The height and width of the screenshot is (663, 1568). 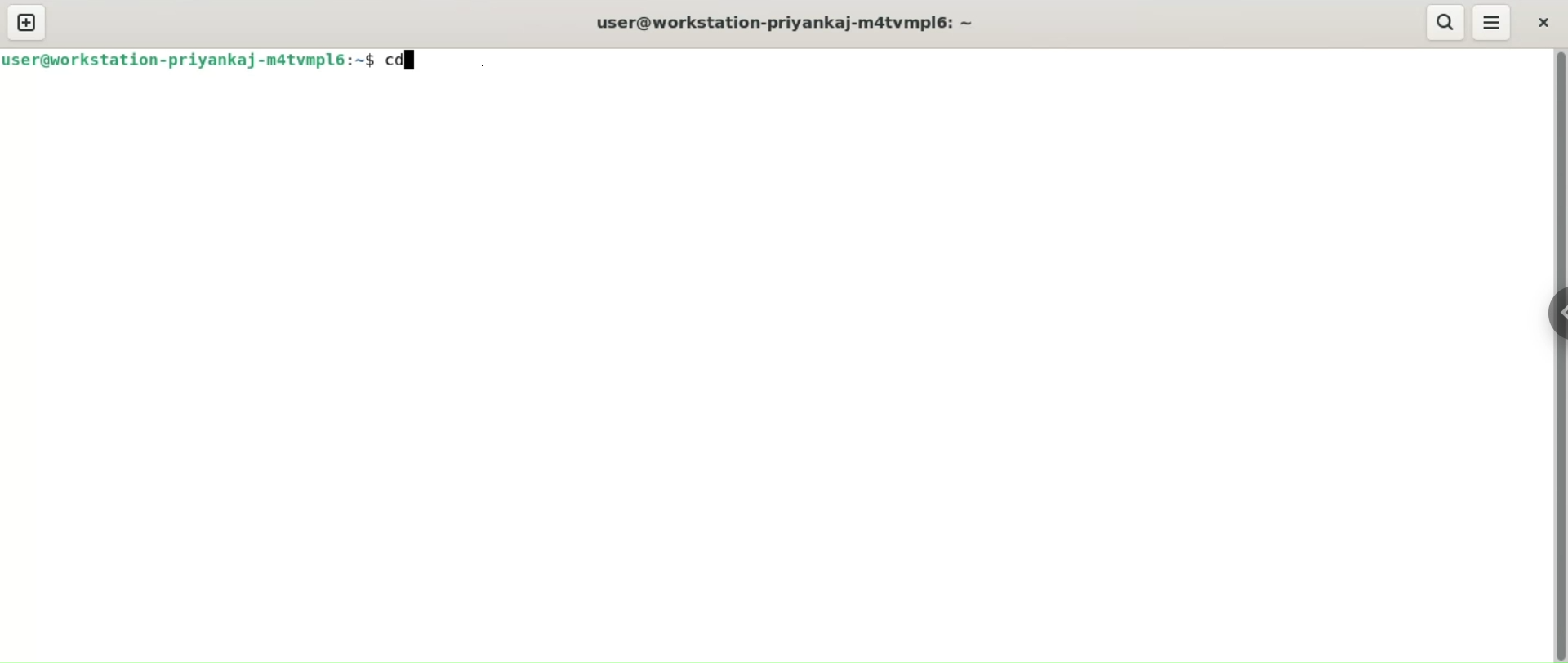 I want to click on verical scroll bar, so click(x=1558, y=356).